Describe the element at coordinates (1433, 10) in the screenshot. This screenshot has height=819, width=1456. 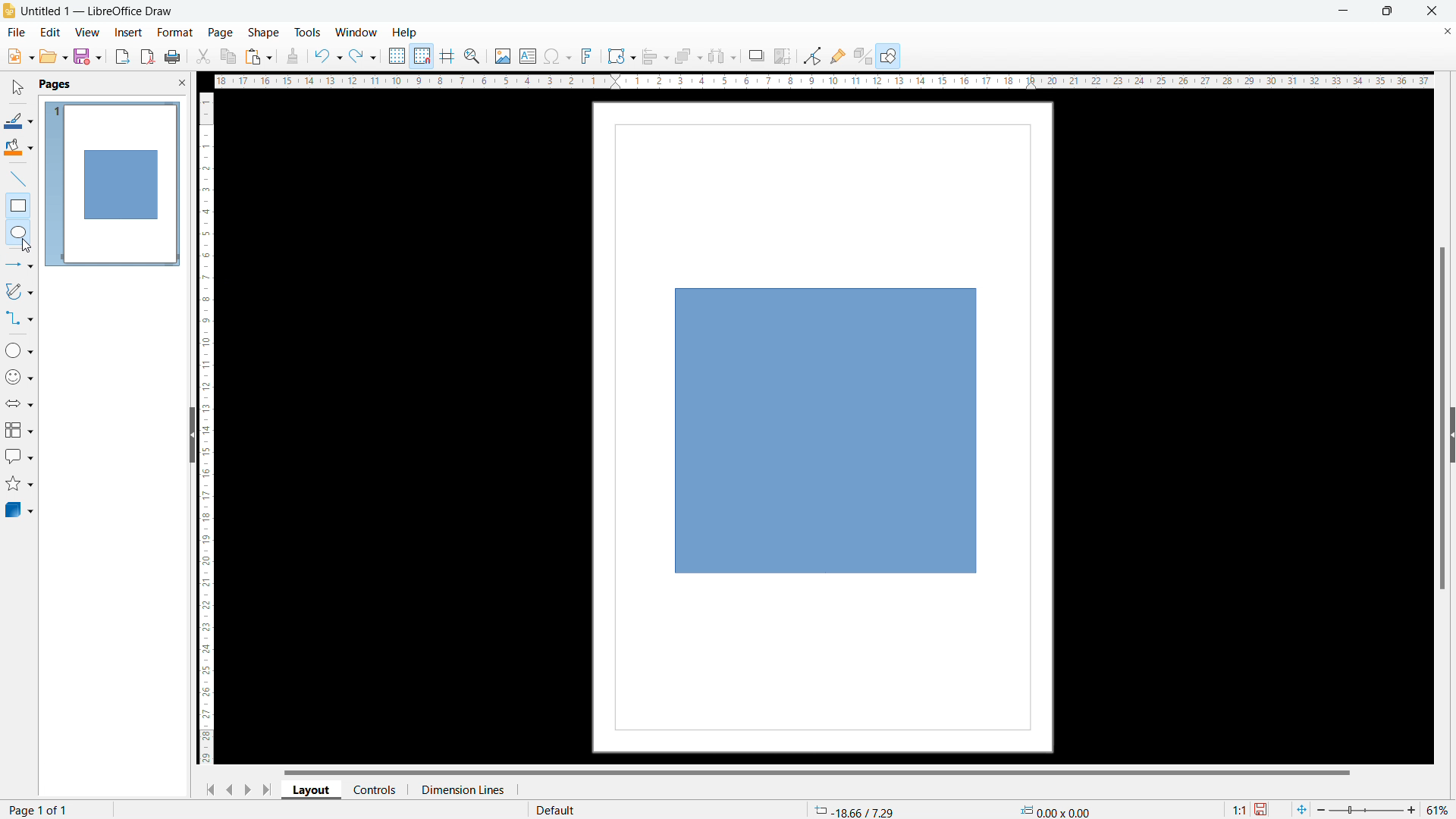
I see `close` at that location.